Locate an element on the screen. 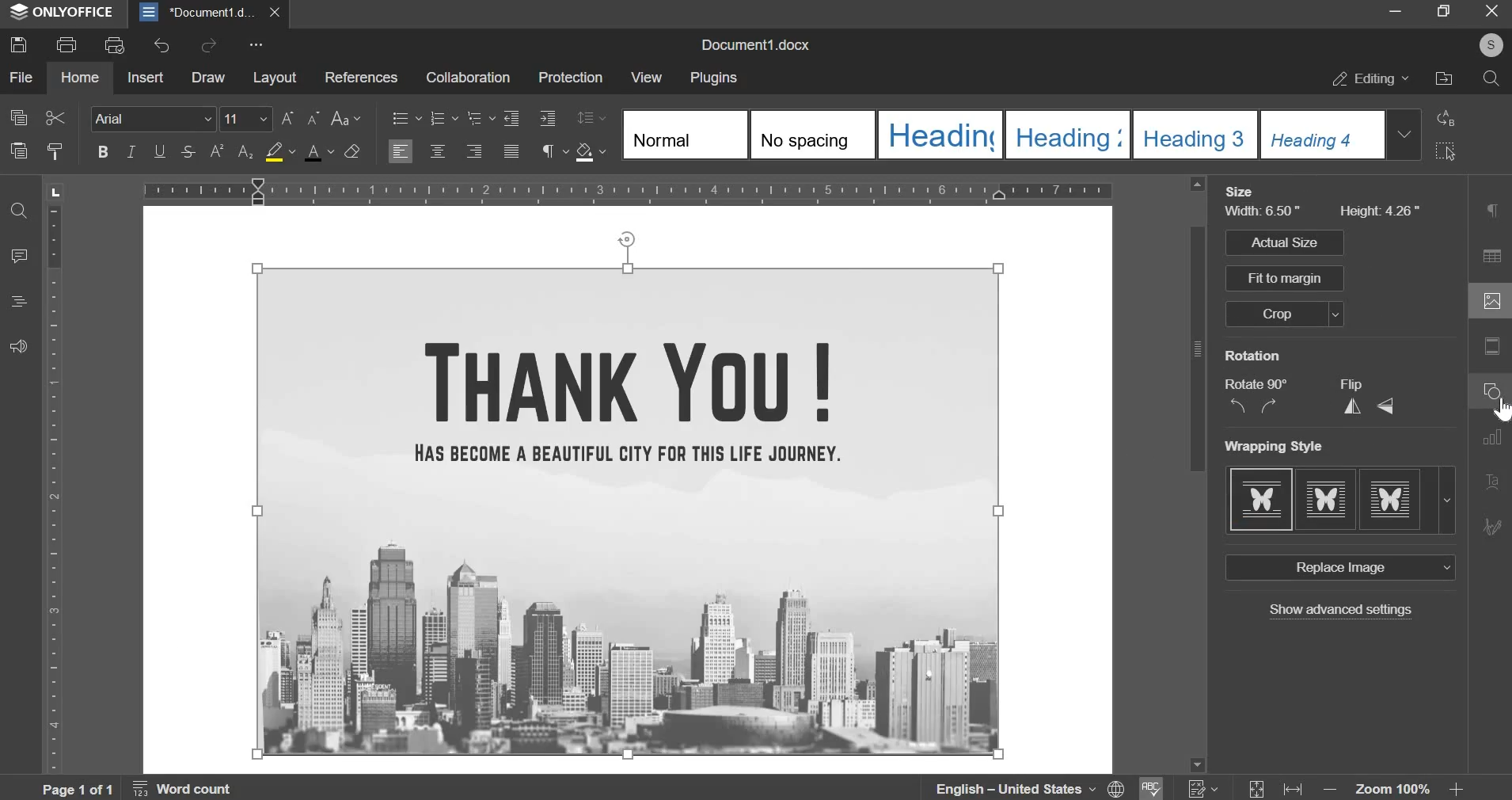 The width and height of the screenshot is (1512, 800). Headers & Footers is located at coordinates (1495, 348).